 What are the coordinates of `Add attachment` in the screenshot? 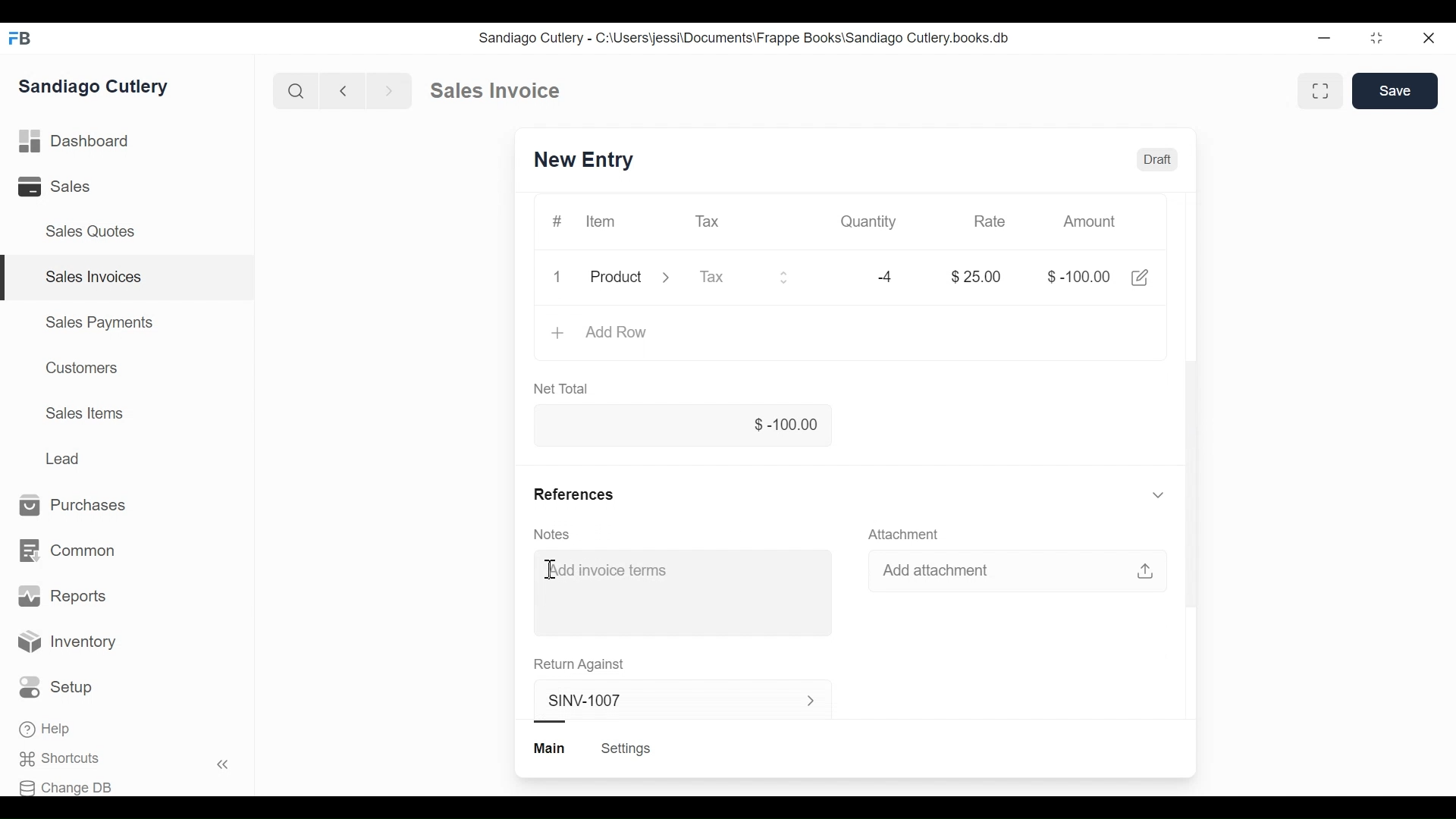 It's located at (1021, 573).